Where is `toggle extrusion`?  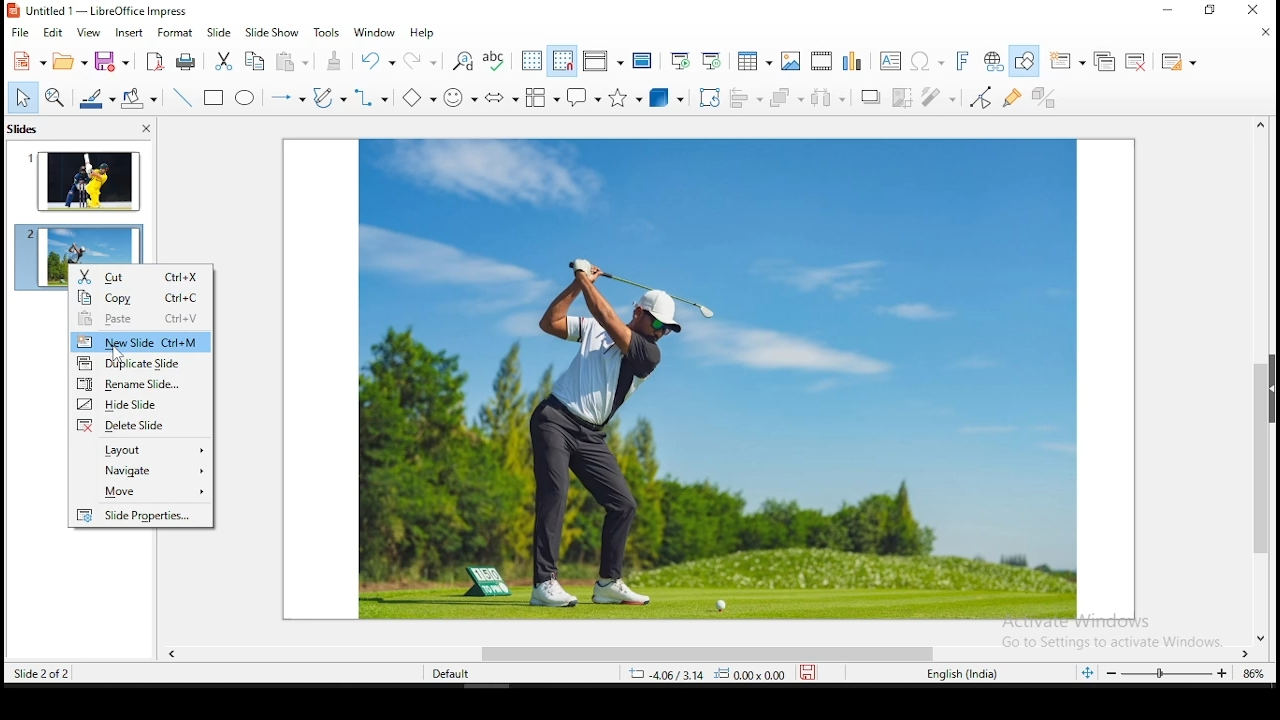 toggle extrusion is located at coordinates (1048, 99).